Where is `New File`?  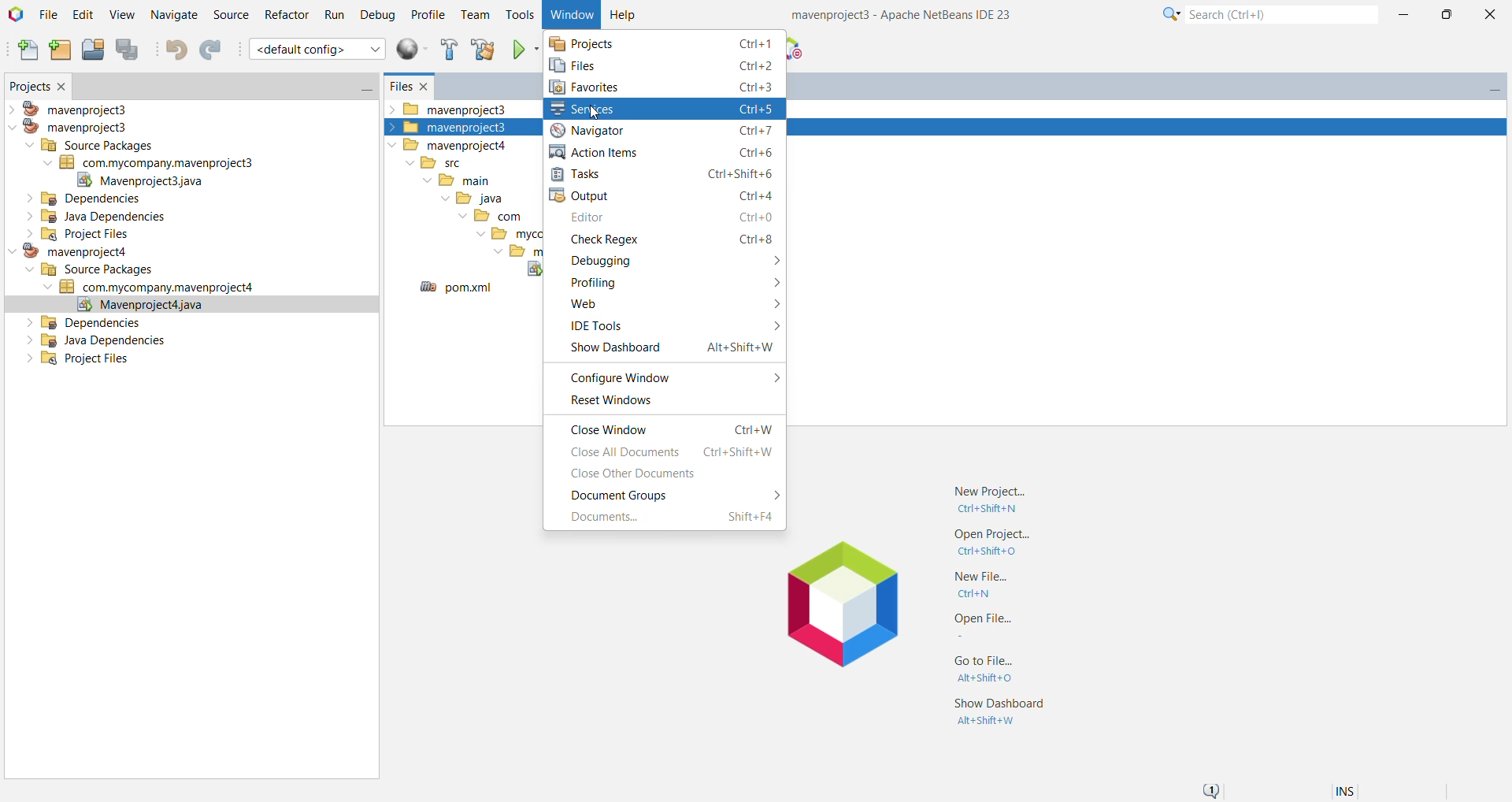
New File is located at coordinates (985, 585).